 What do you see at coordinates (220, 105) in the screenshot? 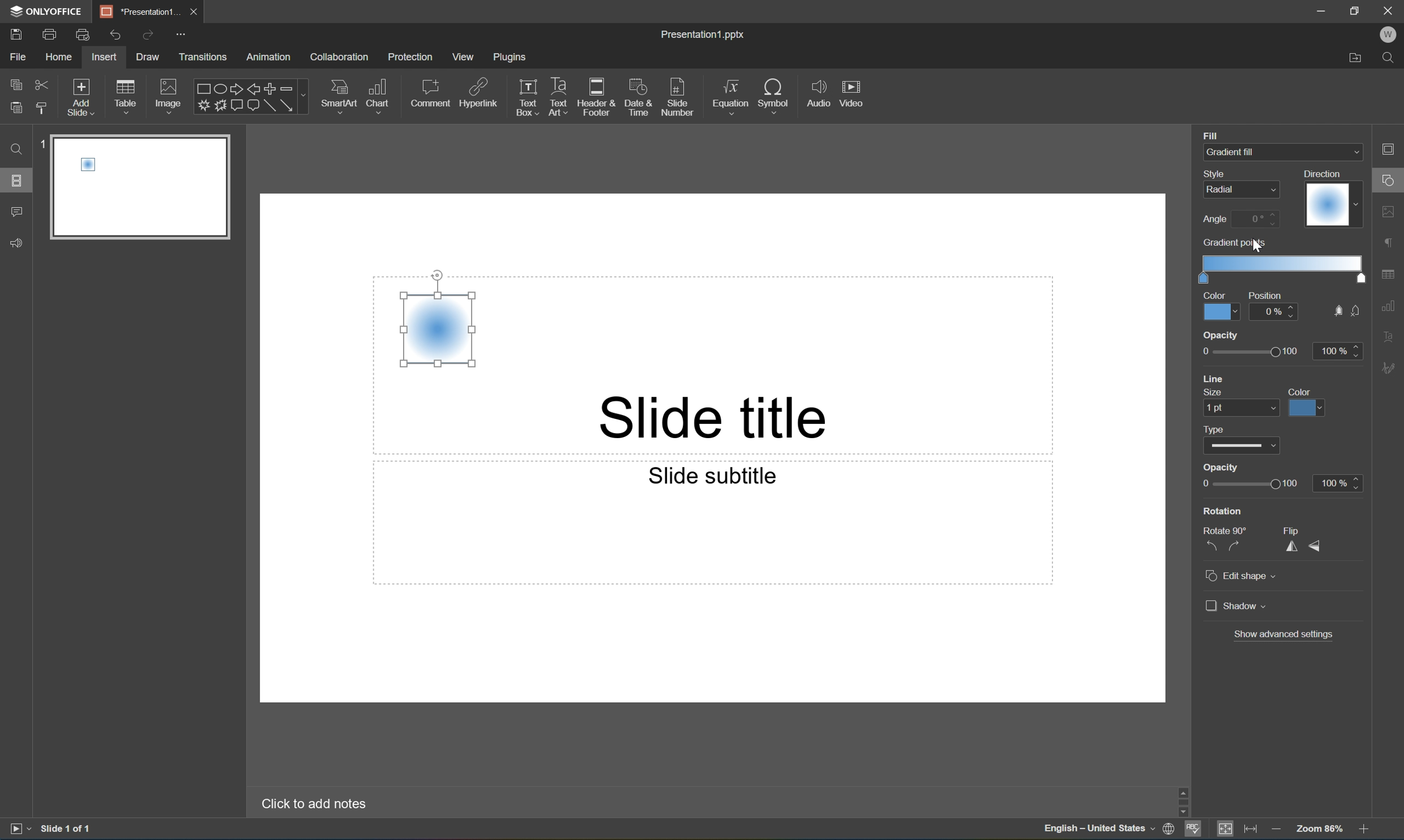
I see `` at bounding box center [220, 105].